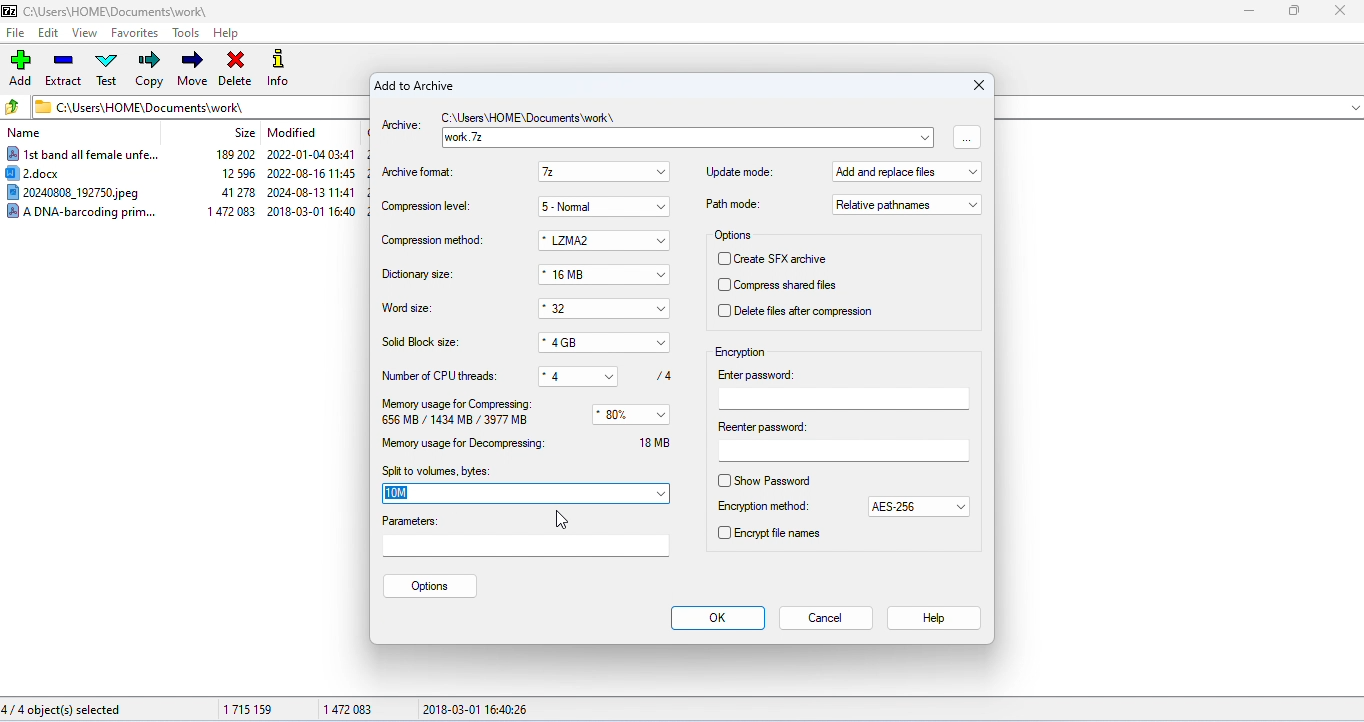 The image size is (1364, 722). What do you see at coordinates (662, 242) in the screenshot?
I see `drop down` at bounding box center [662, 242].